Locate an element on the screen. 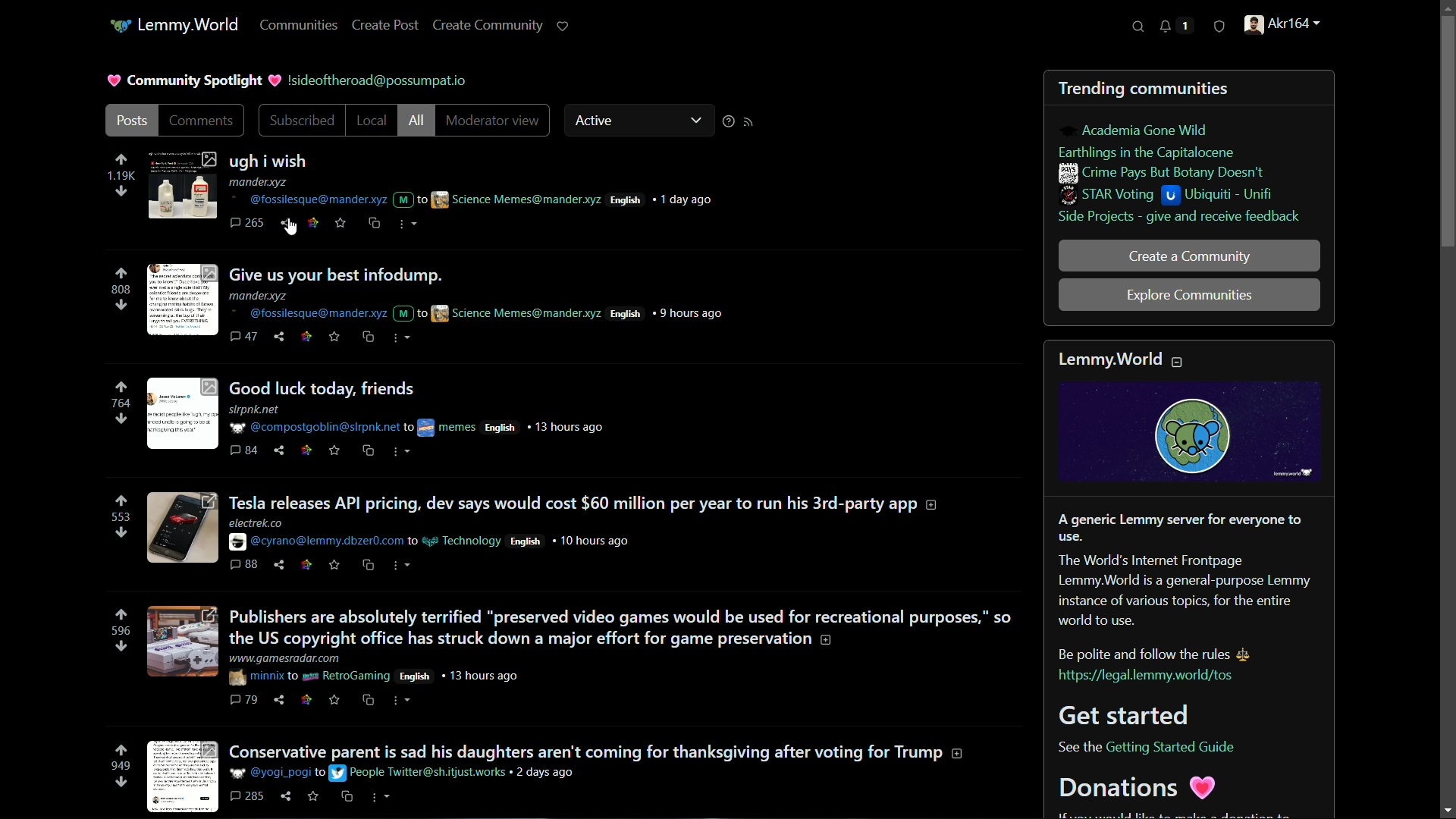 This screenshot has width=1456, height=819. security is located at coordinates (1219, 30).